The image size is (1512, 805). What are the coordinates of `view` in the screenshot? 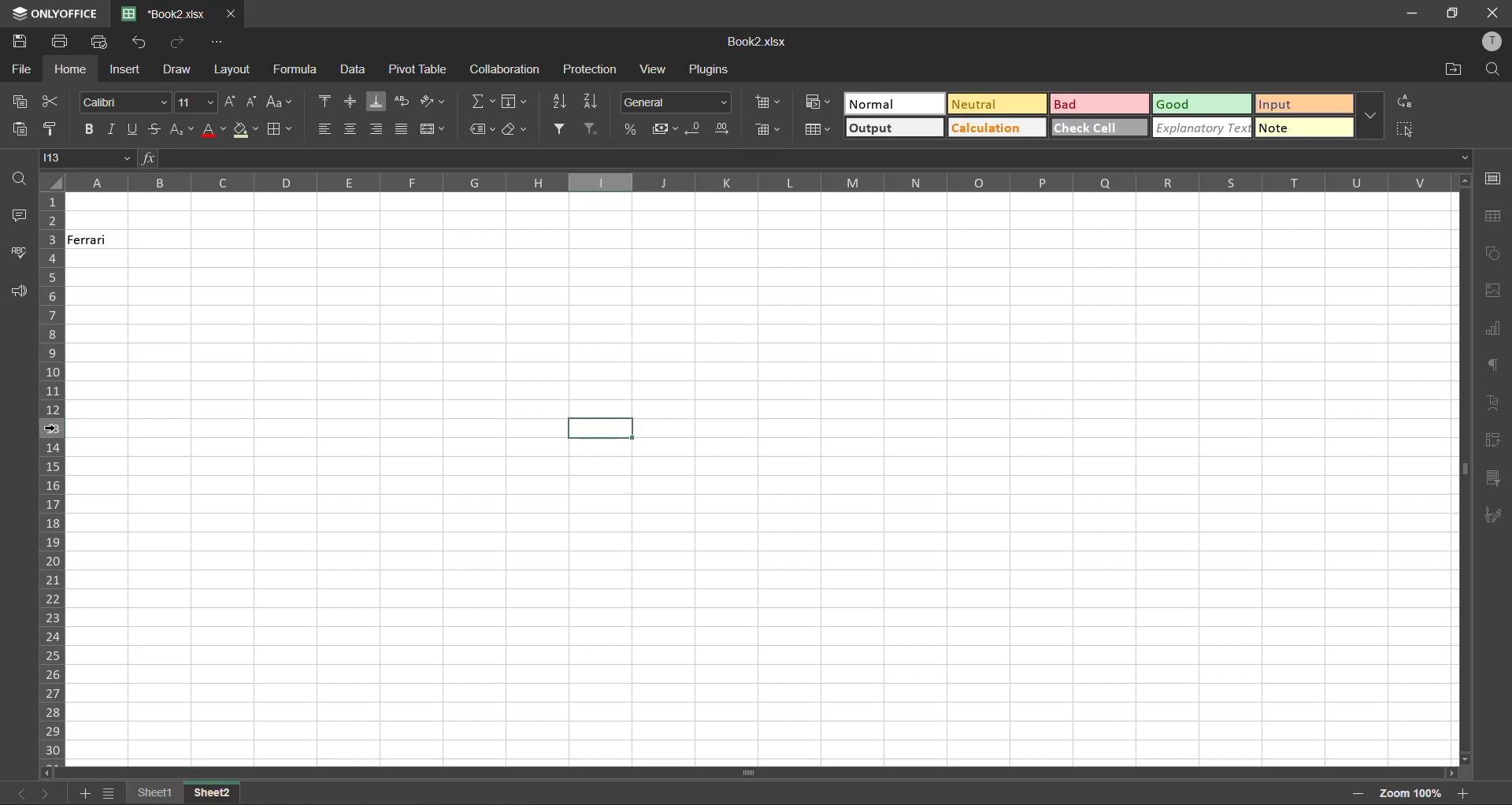 It's located at (652, 68).